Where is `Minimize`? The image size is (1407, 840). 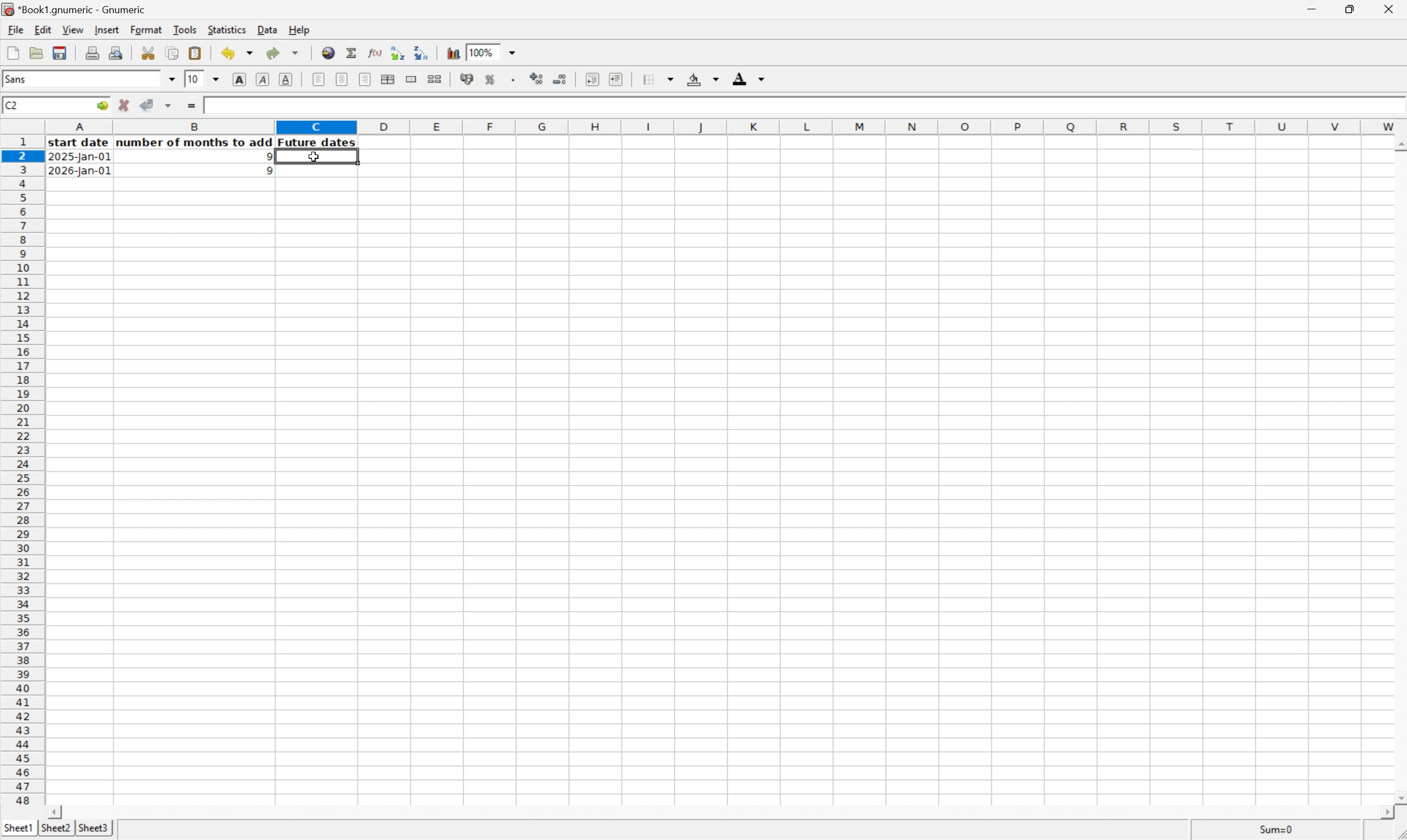 Minimize is located at coordinates (1310, 7).